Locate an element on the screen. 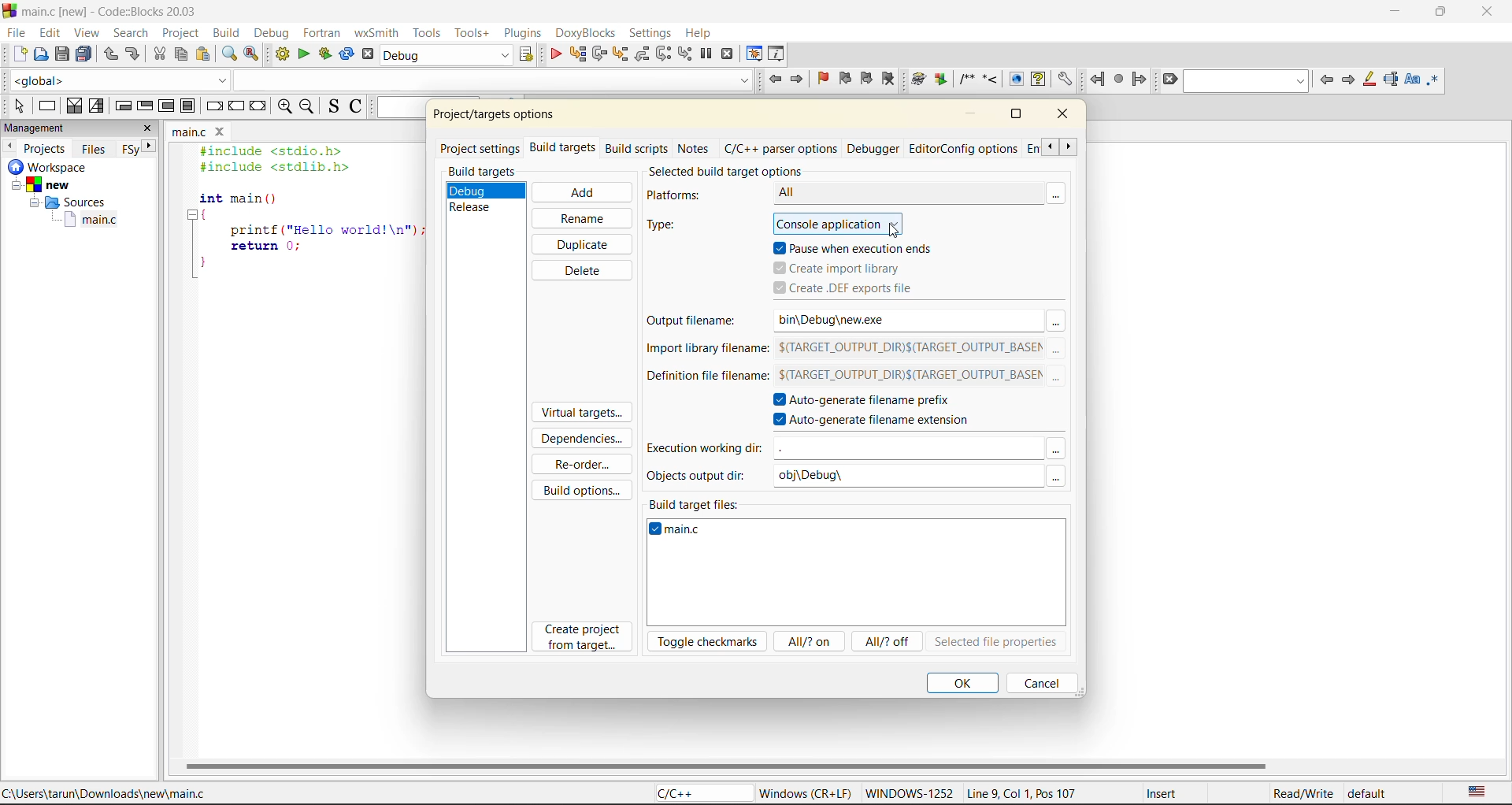 This screenshot has width=1512, height=805. duplicate is located at coordinates (582, 243).